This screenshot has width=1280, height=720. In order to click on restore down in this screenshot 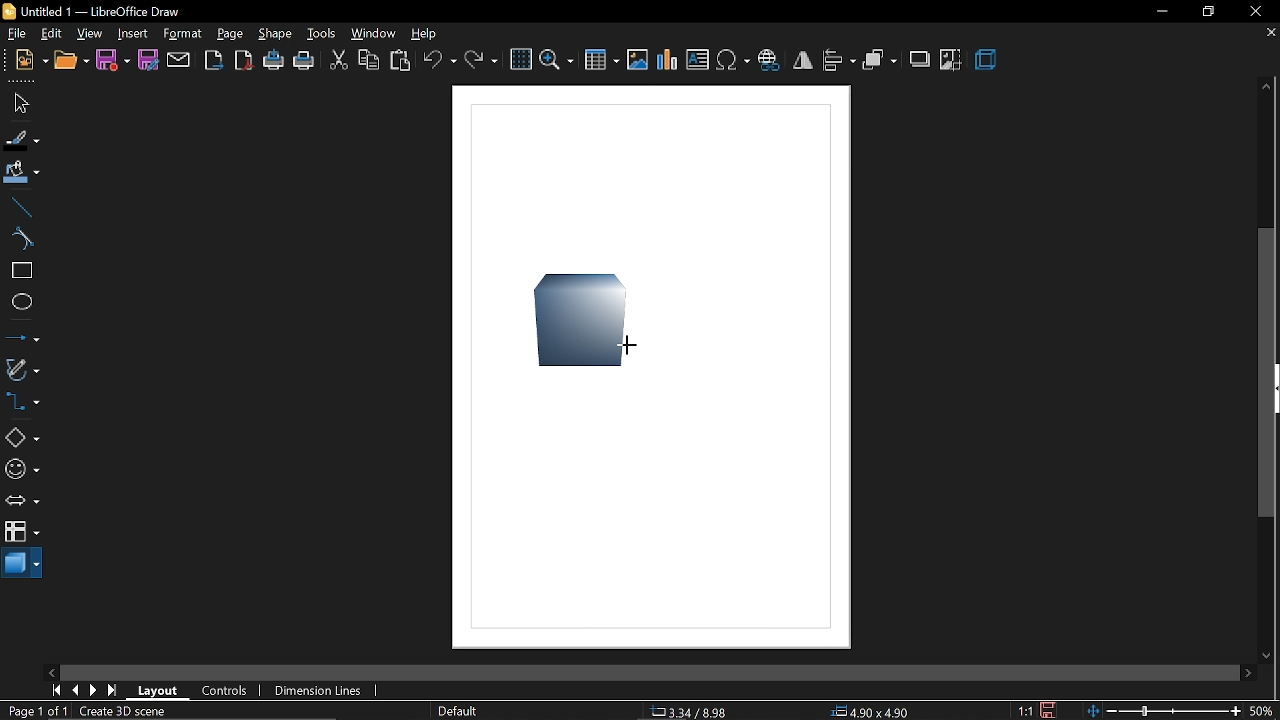, I will do `click(1206, 14)`.